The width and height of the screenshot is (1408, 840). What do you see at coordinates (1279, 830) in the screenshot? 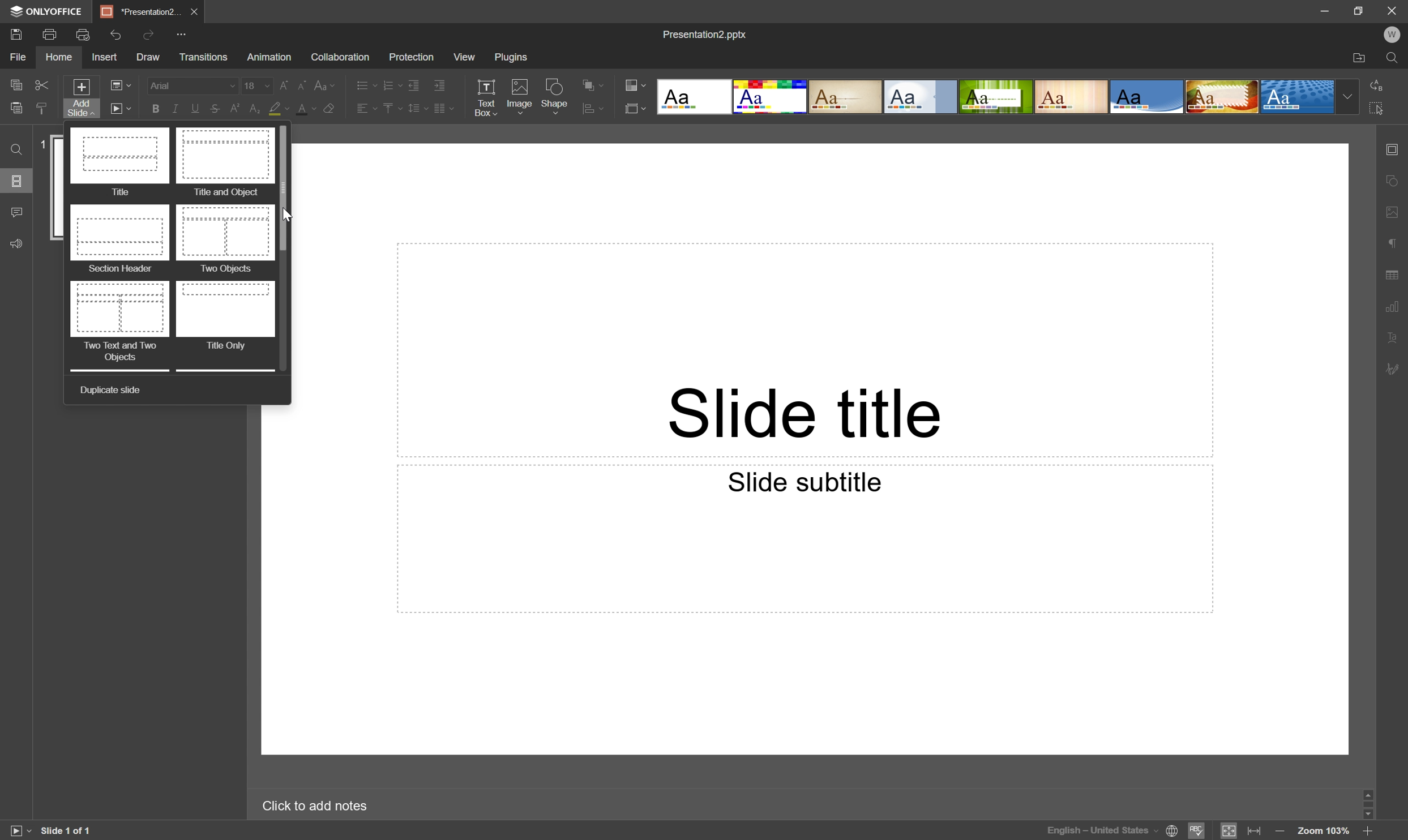
I see `Zoom out` at bounding box center [1279, 830].